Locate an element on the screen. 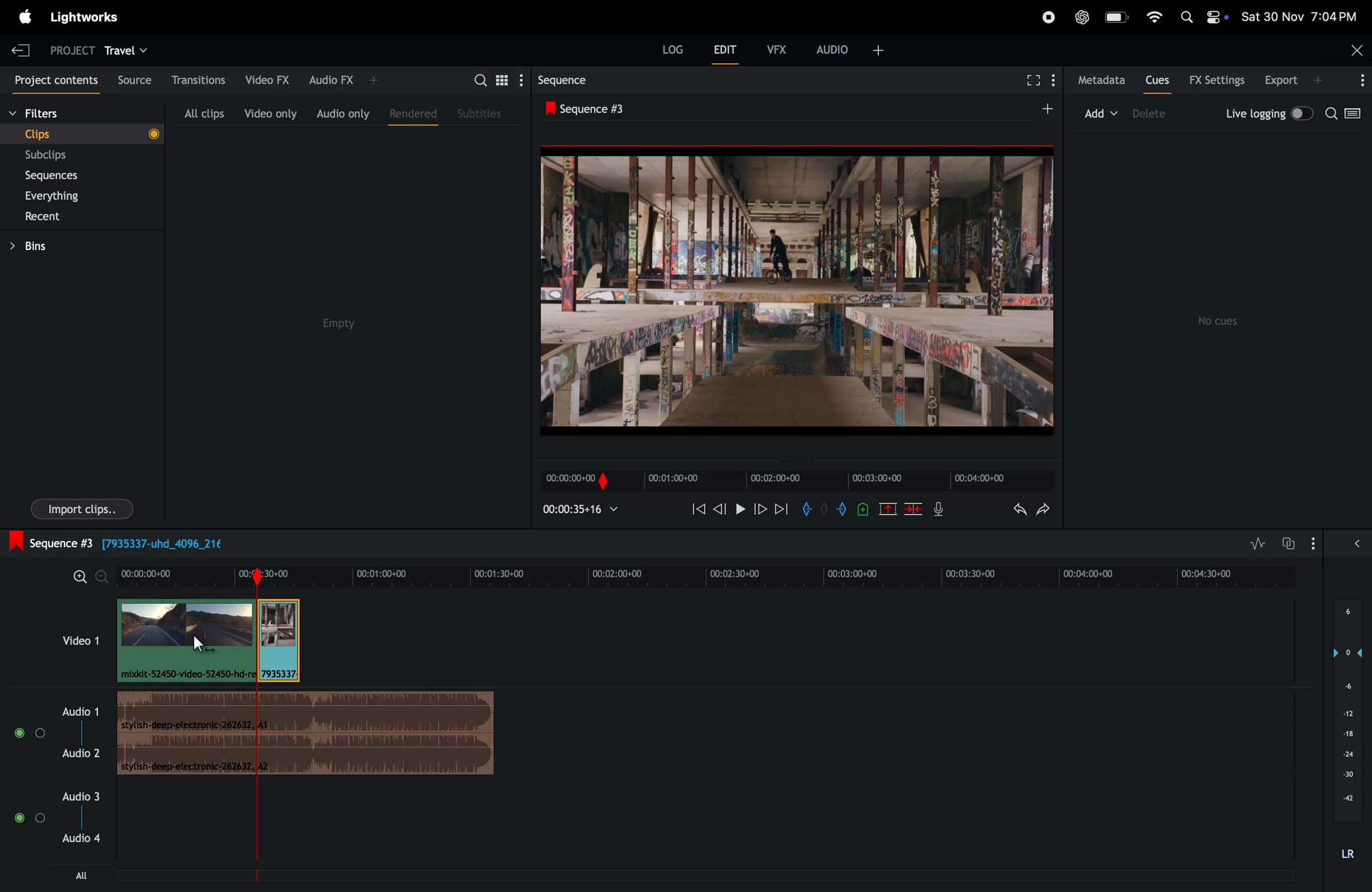  record is located at coordinates (1046, 16).